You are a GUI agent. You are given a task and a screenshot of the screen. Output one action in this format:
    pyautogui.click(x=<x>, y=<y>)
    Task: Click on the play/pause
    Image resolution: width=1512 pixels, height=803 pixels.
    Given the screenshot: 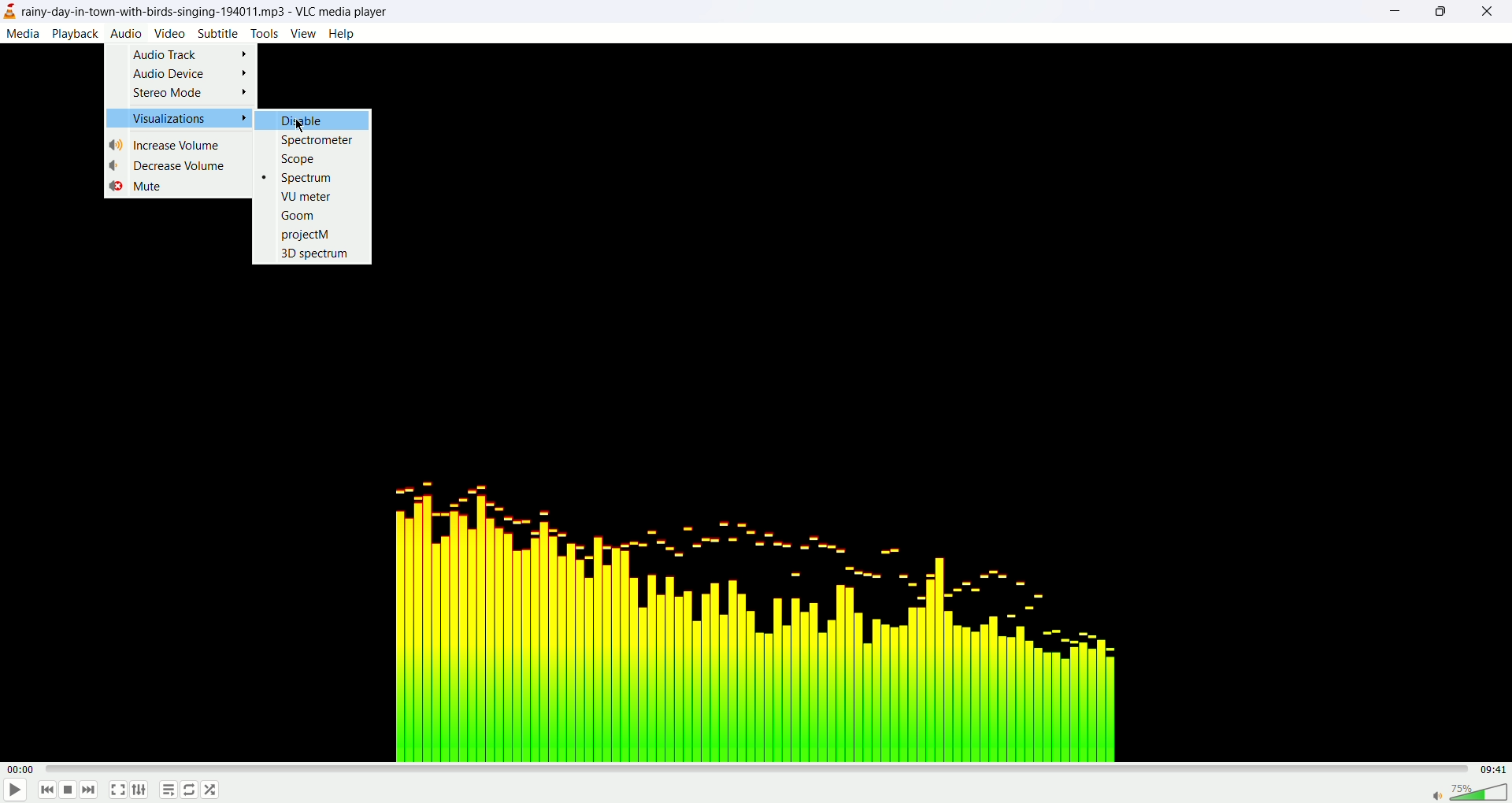 What is the action you would take?
    pyautogui.click(x=13, y=793)
    